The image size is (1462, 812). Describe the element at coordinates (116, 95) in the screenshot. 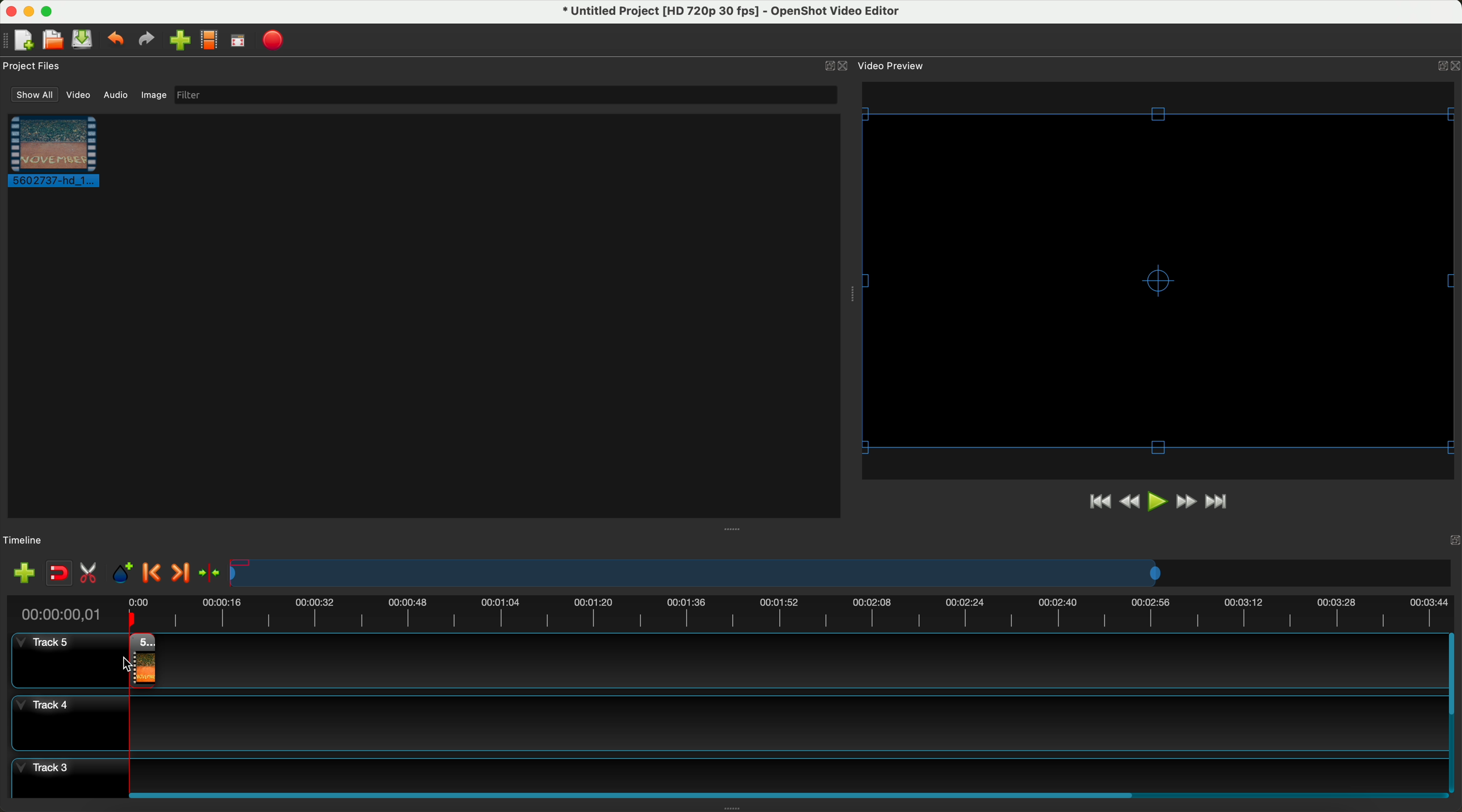

I see `audio` at that location.